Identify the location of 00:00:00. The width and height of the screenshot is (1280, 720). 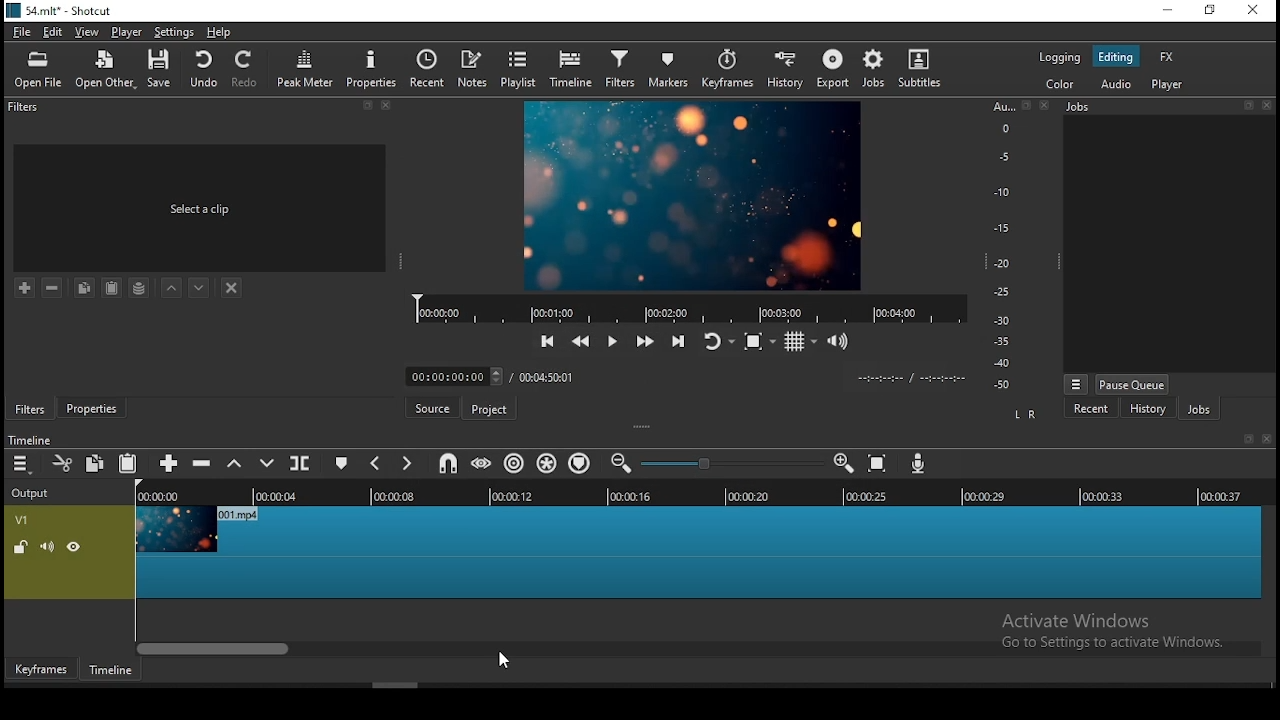
(155, 496).